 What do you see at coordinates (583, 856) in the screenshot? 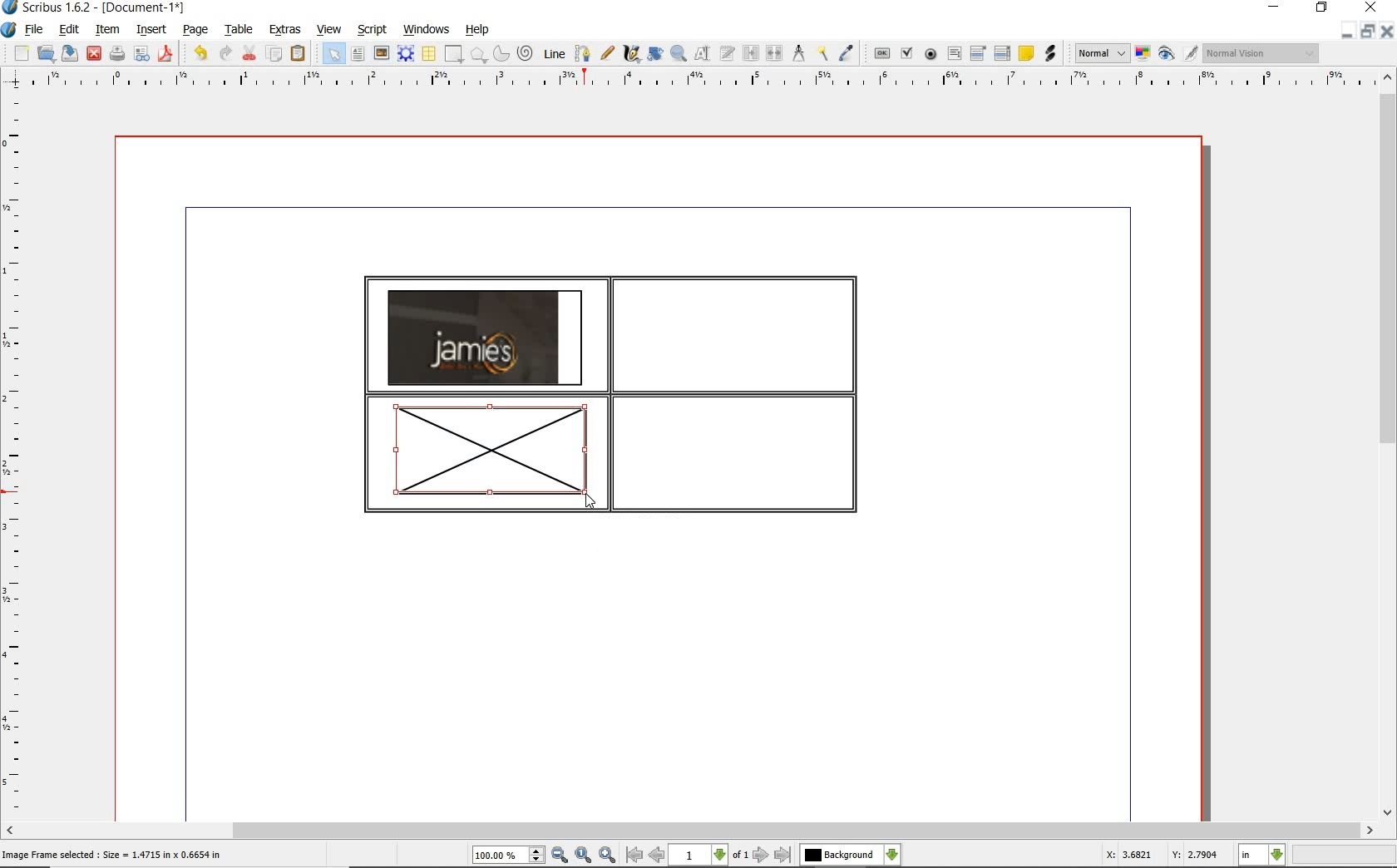
I see `zoom to` at bounding box center [583, 856].